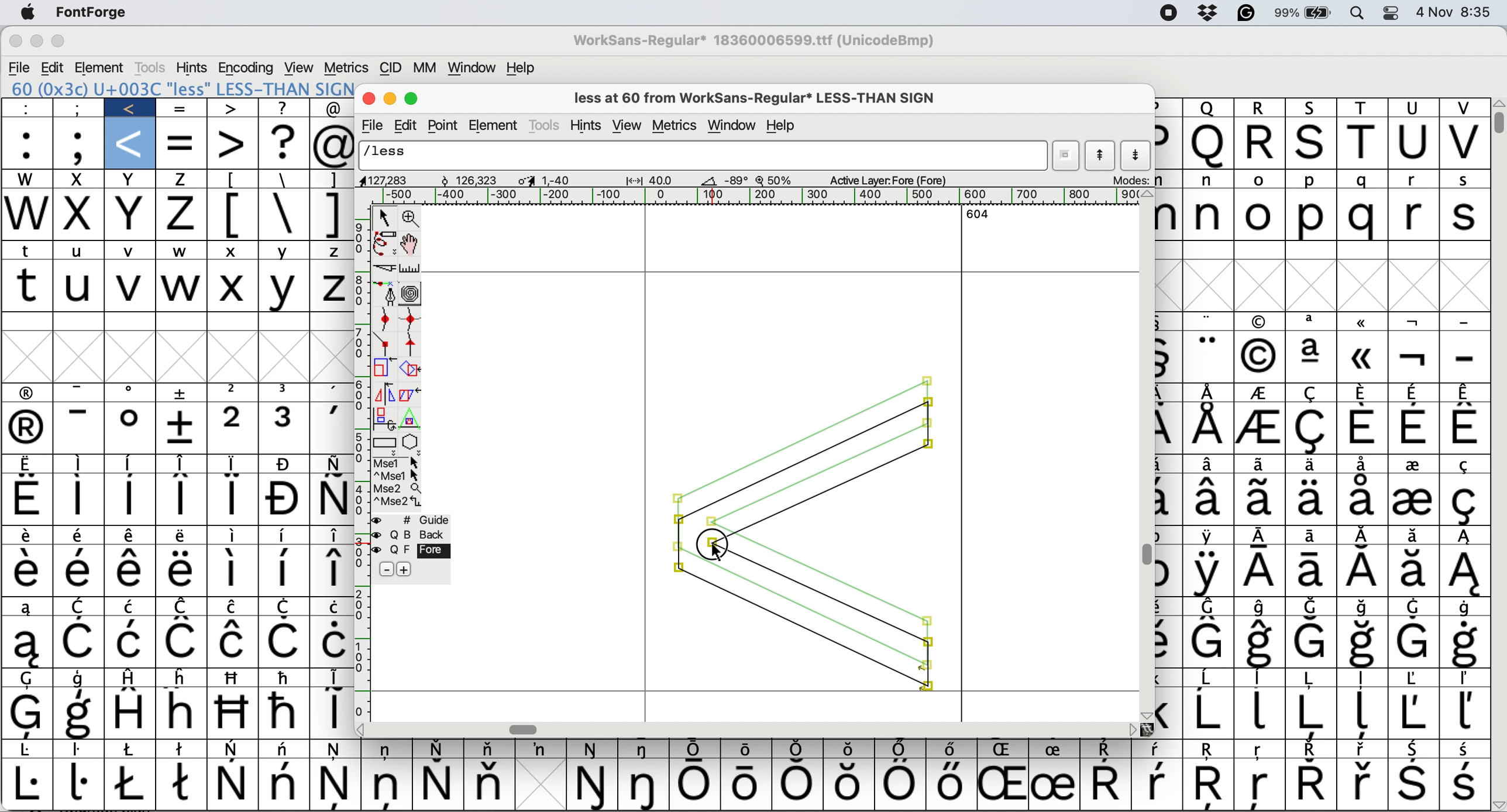 The width and height of the screenshot is (1507, 812). What do you see at coordinates (131, 285) in the screenshot?
I see `v` at bounding box center [131, 285].